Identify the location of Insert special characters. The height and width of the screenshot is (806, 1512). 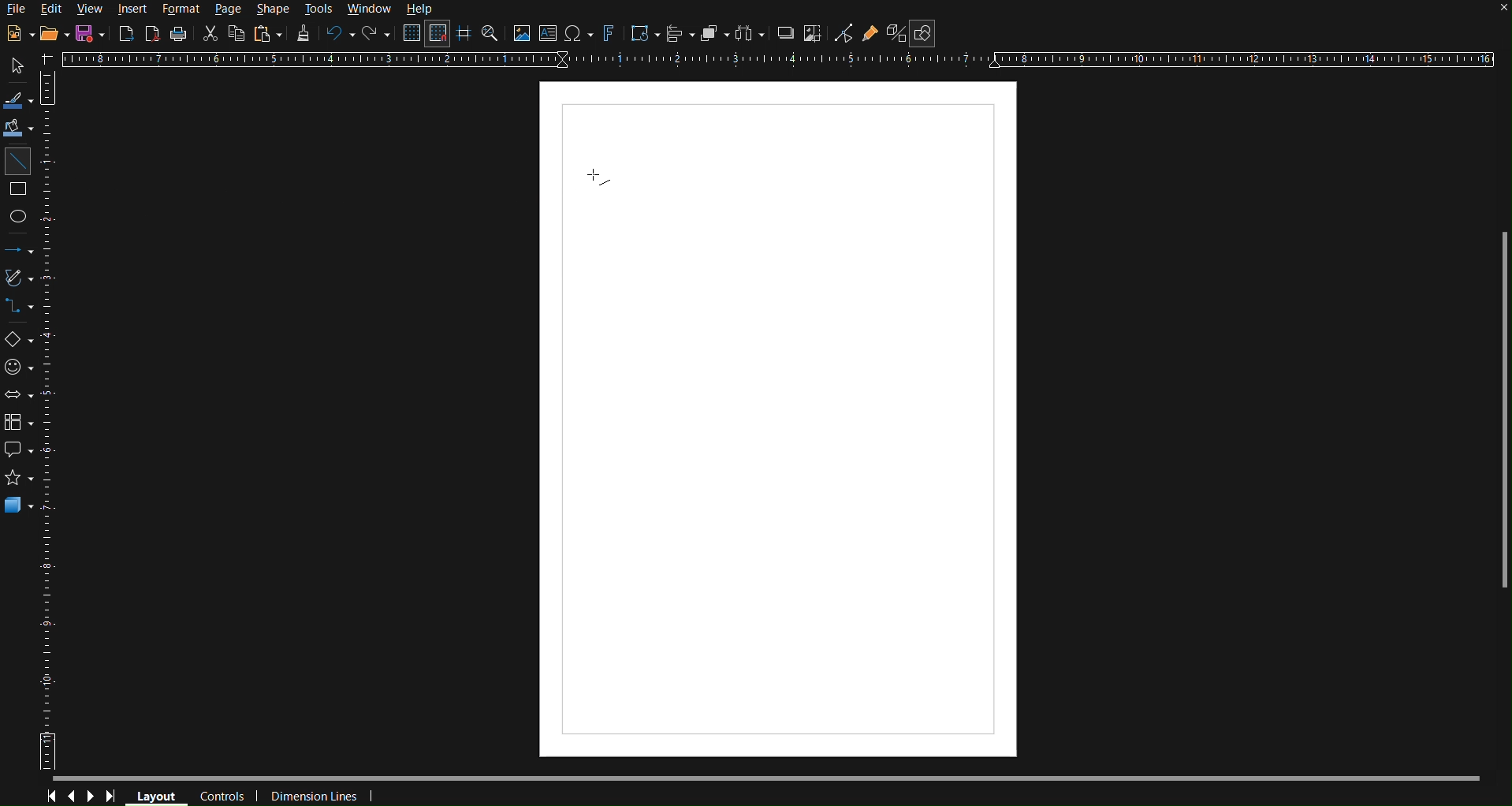
(579, 34).